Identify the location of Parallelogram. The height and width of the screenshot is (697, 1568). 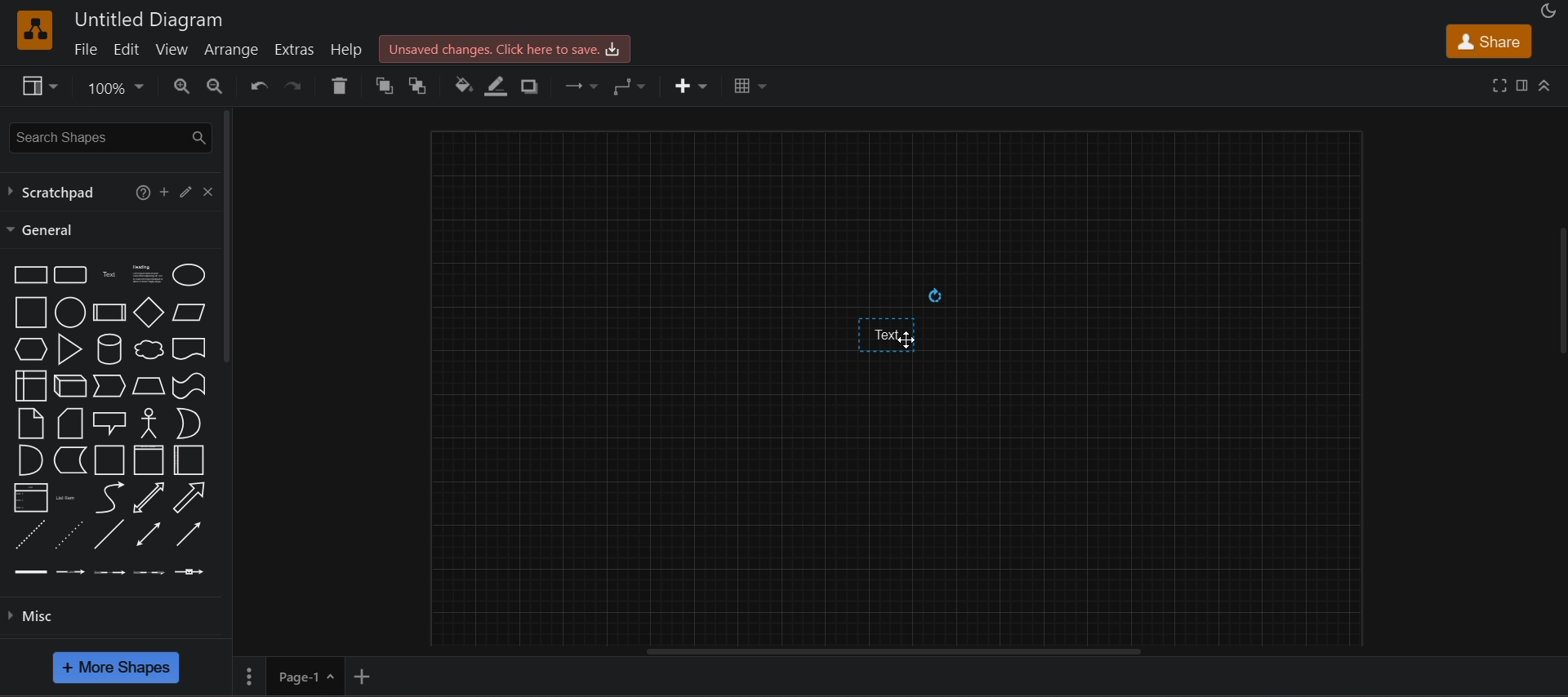
(189, 313).